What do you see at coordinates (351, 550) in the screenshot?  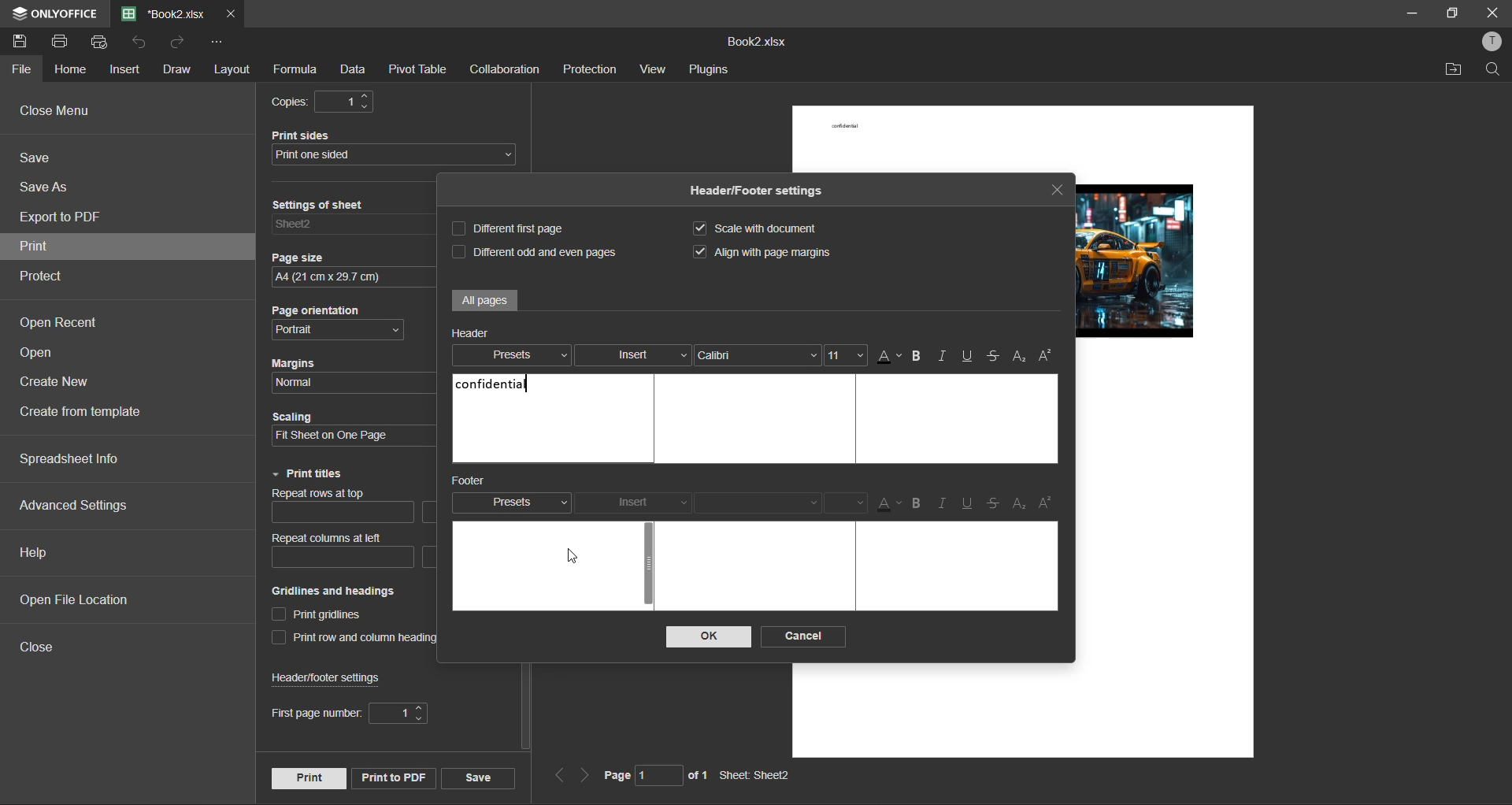 I see `repeat columns at left` at bounding box center [351, 550].